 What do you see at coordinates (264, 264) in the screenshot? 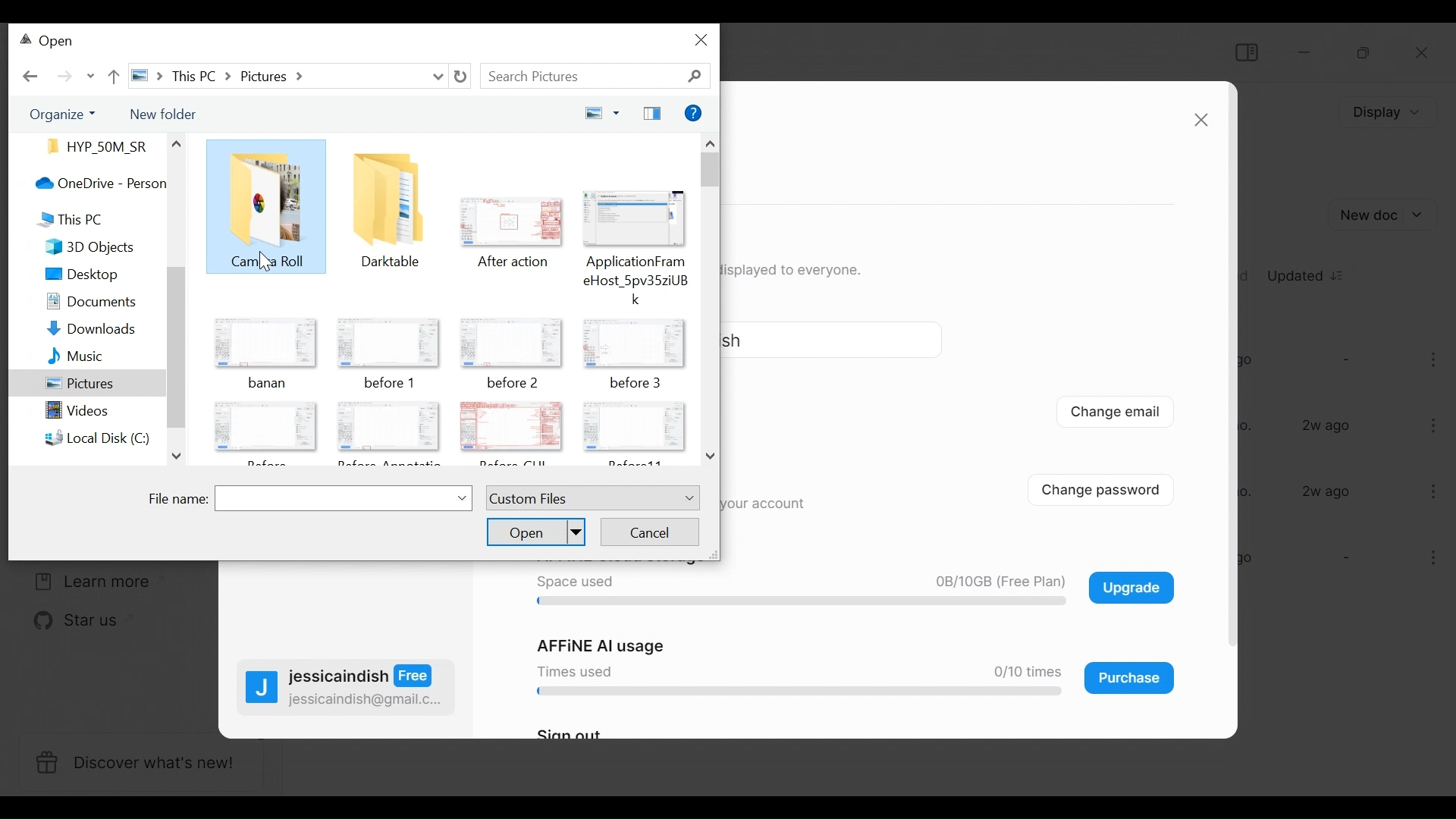
I see `cursor` at bounding box center [264, 264].